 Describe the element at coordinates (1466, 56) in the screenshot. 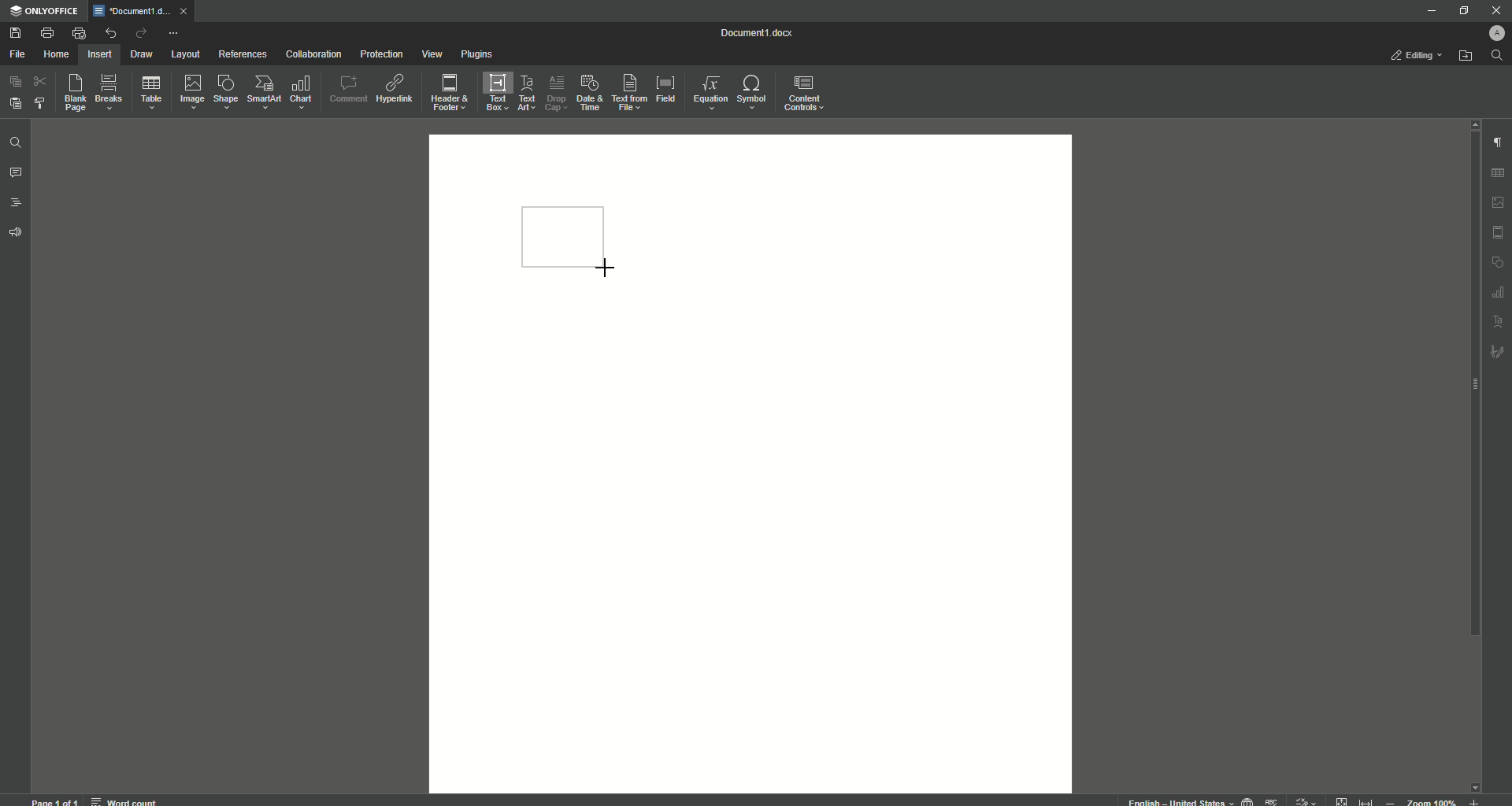

I see `Open From File` at that location.